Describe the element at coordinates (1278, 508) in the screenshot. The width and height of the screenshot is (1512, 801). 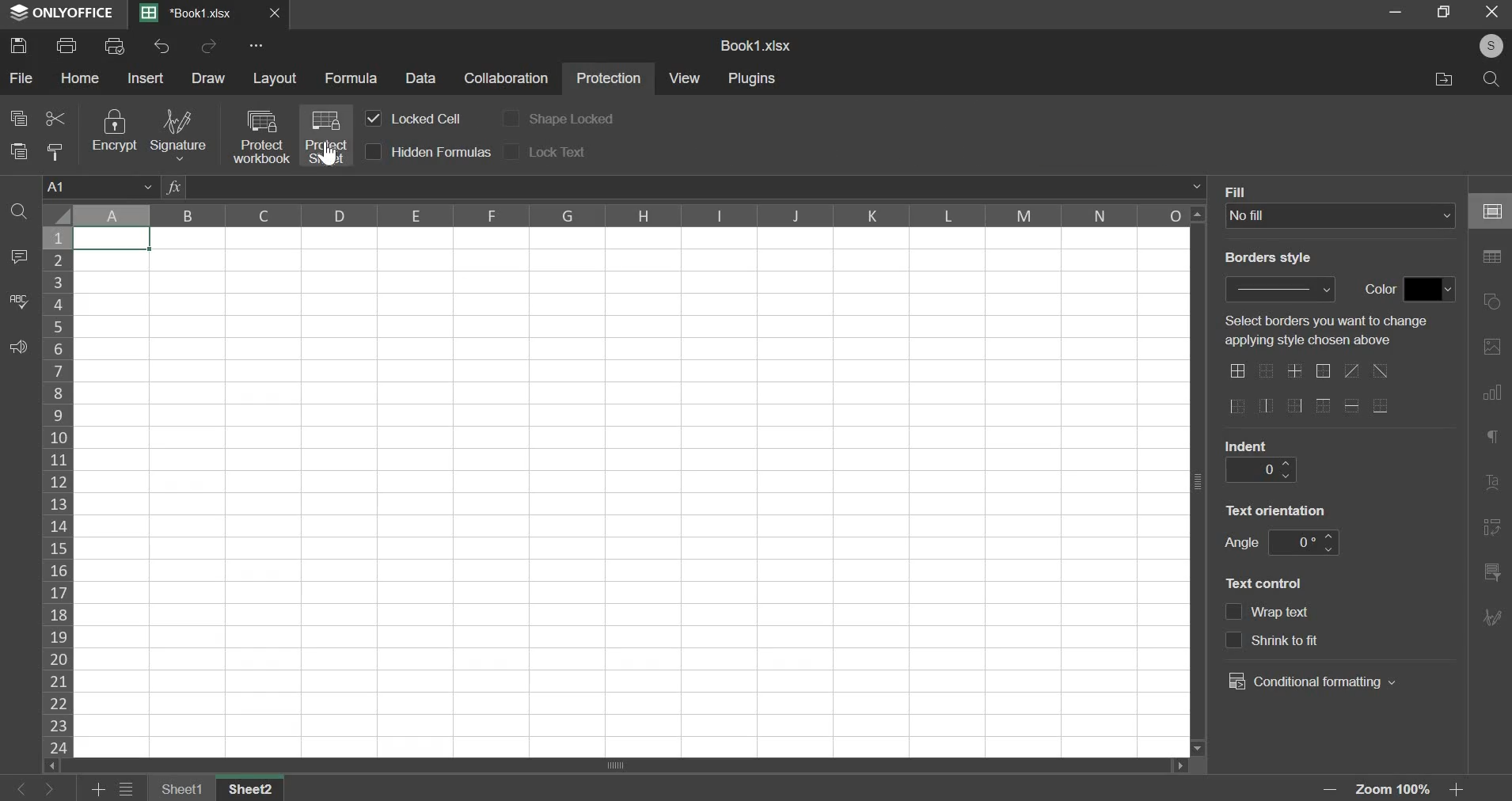
I see `text` at that location.